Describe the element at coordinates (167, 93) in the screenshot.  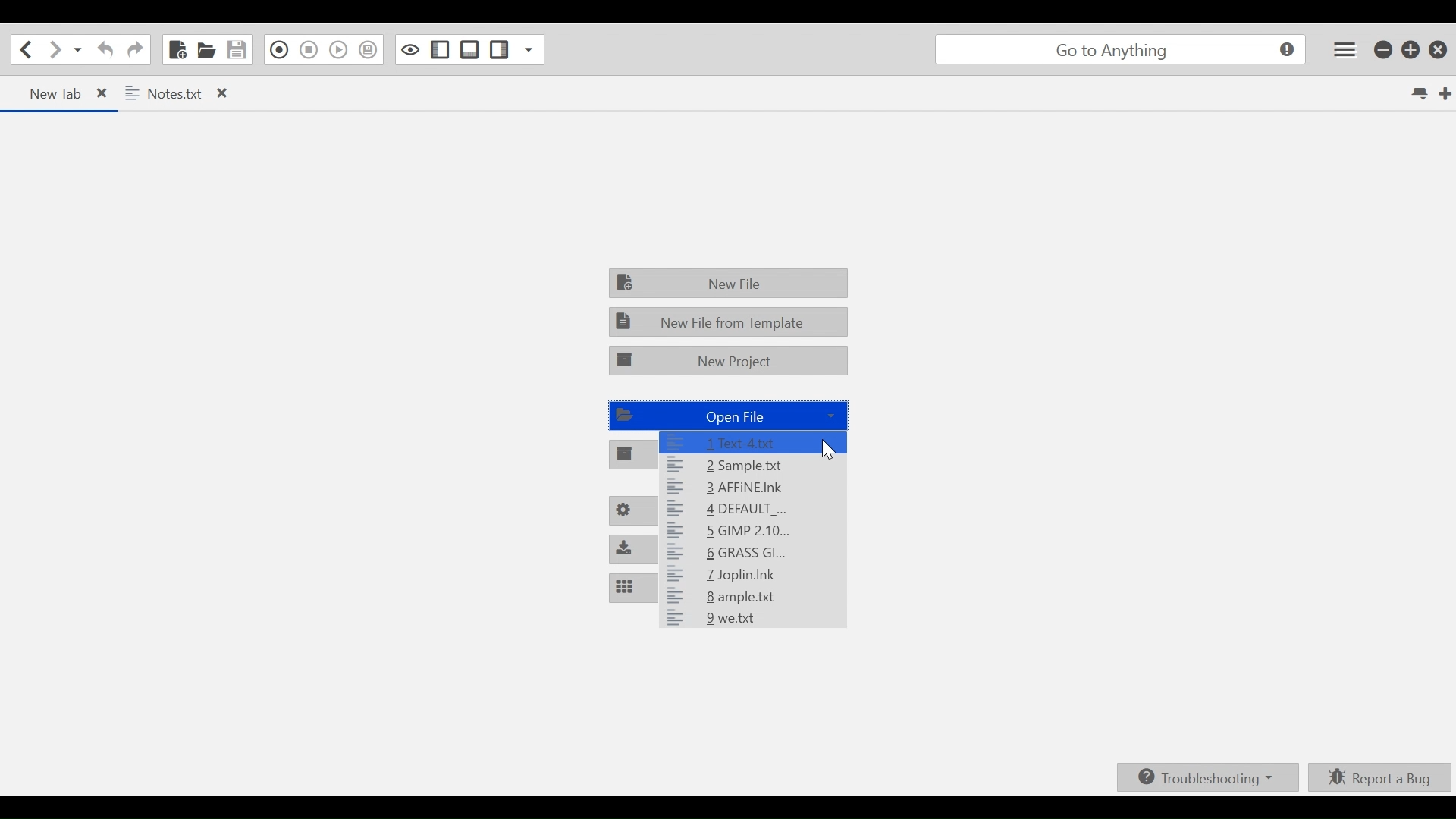
I see `Notes.txt` at that location.